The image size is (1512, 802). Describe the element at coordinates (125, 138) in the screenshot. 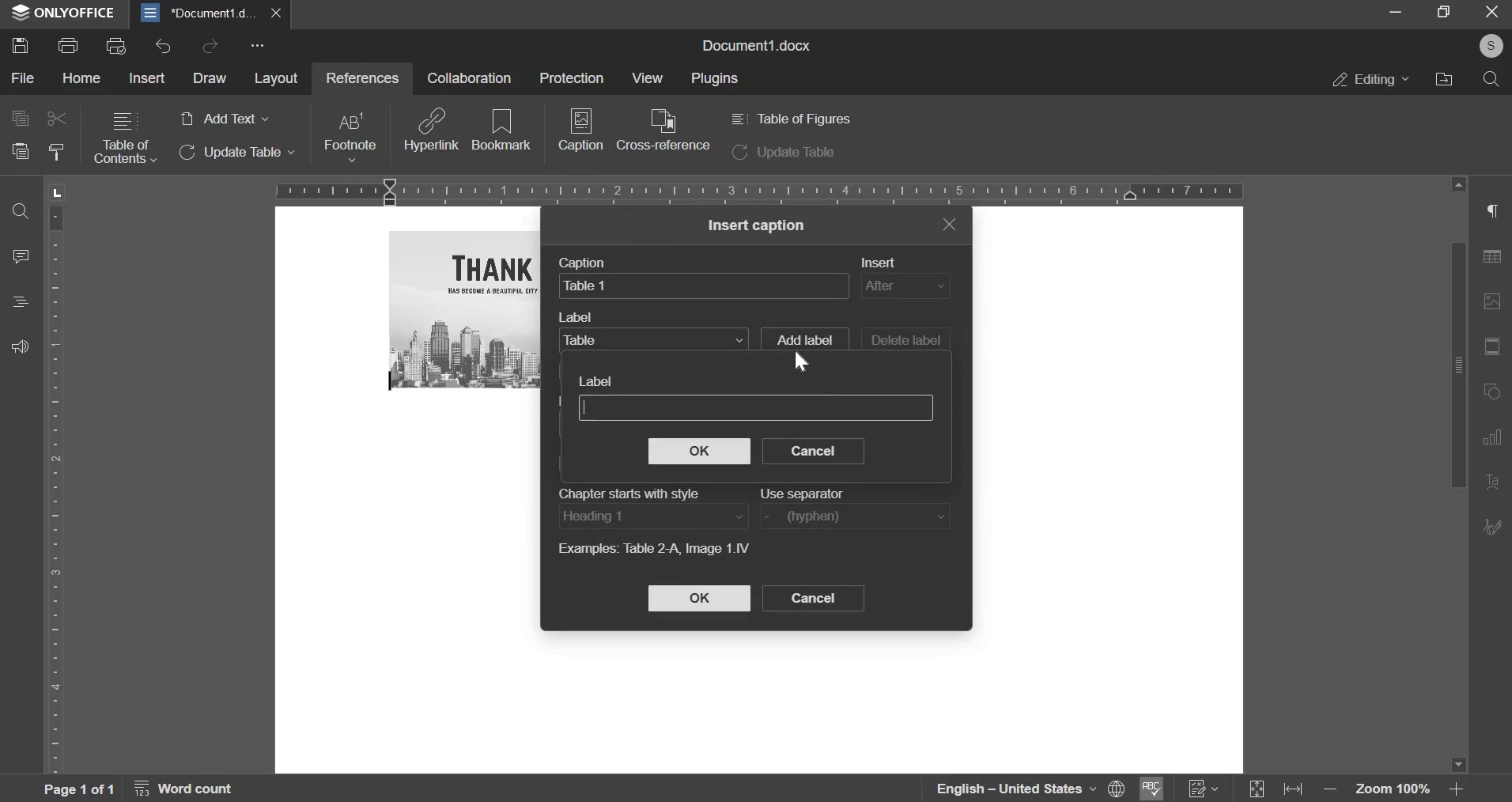

I see `table of contents` at that location.